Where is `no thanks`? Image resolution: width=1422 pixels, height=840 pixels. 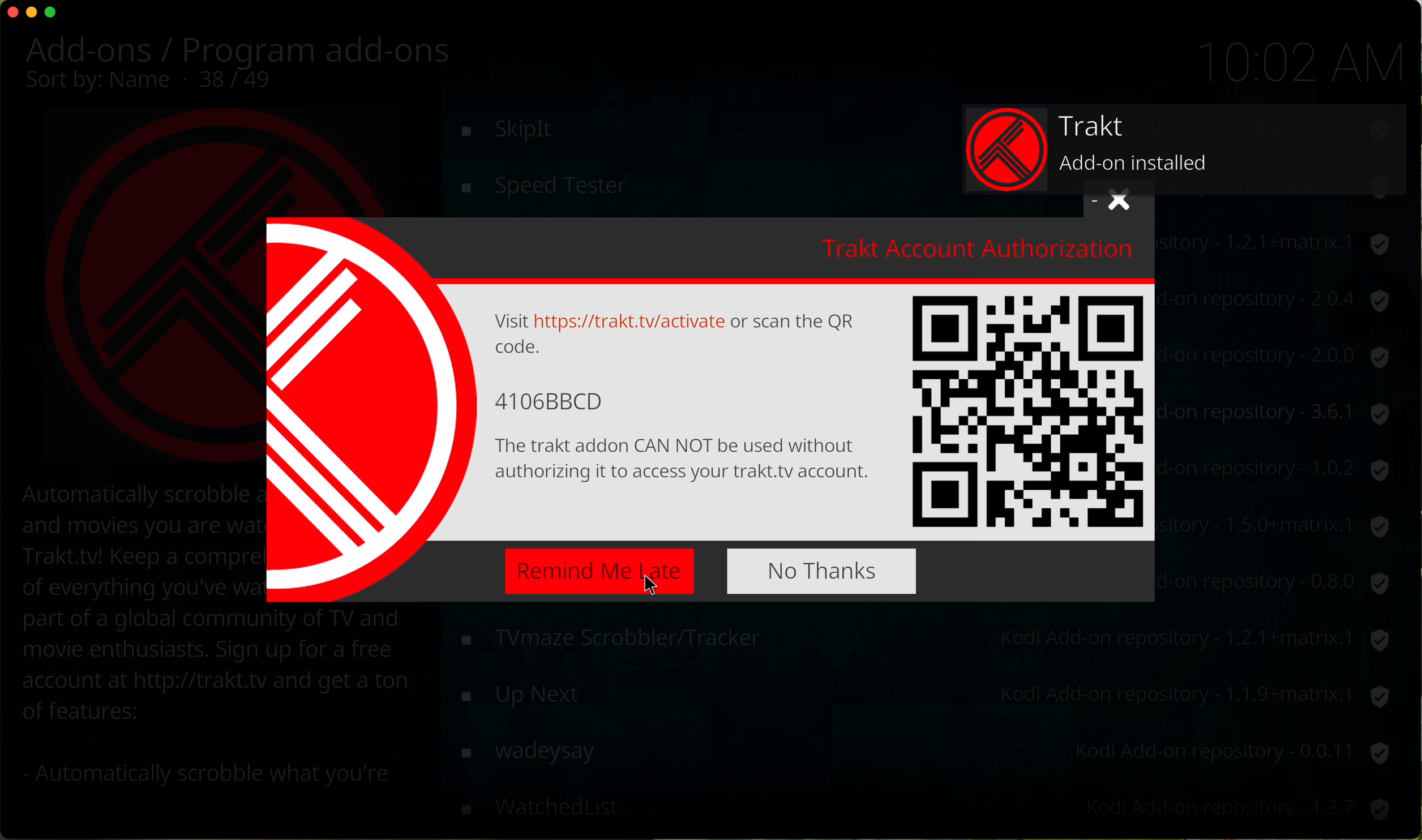 no thanks is located at coordinates (822, 571).